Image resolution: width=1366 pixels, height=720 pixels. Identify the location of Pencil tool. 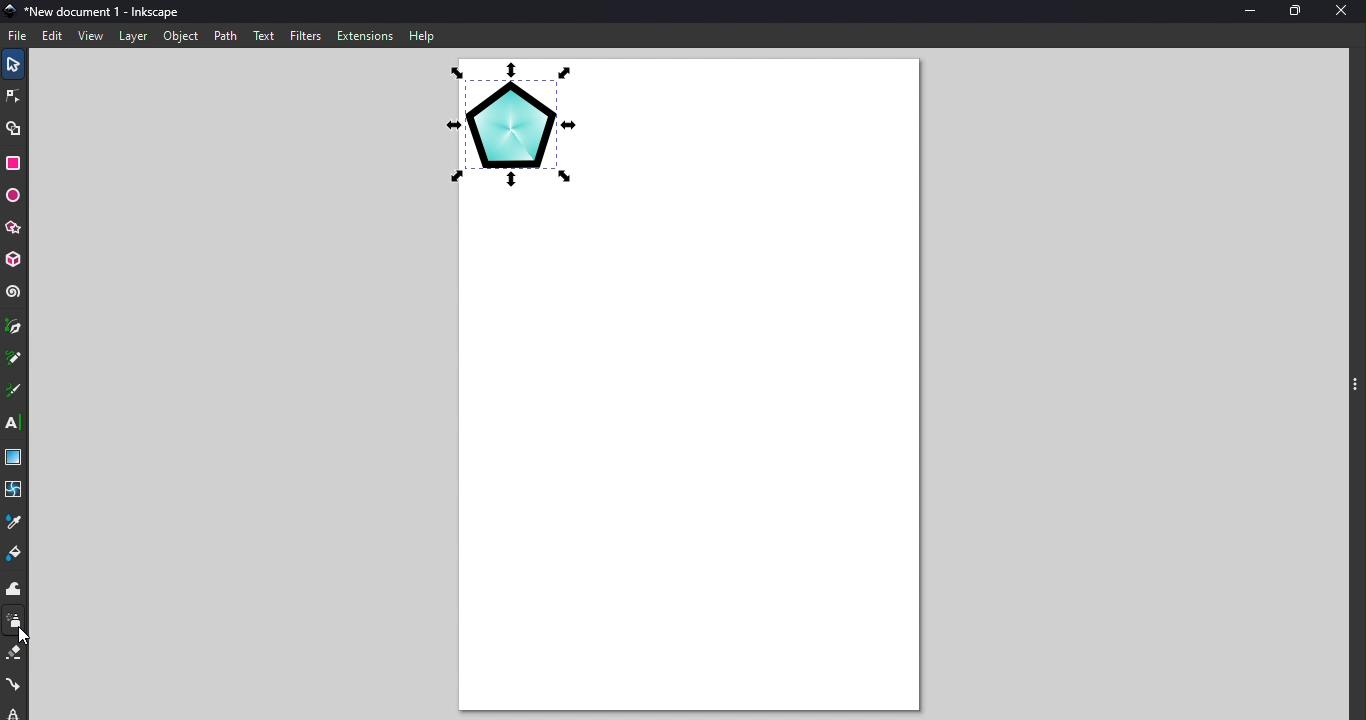
(13, 357).